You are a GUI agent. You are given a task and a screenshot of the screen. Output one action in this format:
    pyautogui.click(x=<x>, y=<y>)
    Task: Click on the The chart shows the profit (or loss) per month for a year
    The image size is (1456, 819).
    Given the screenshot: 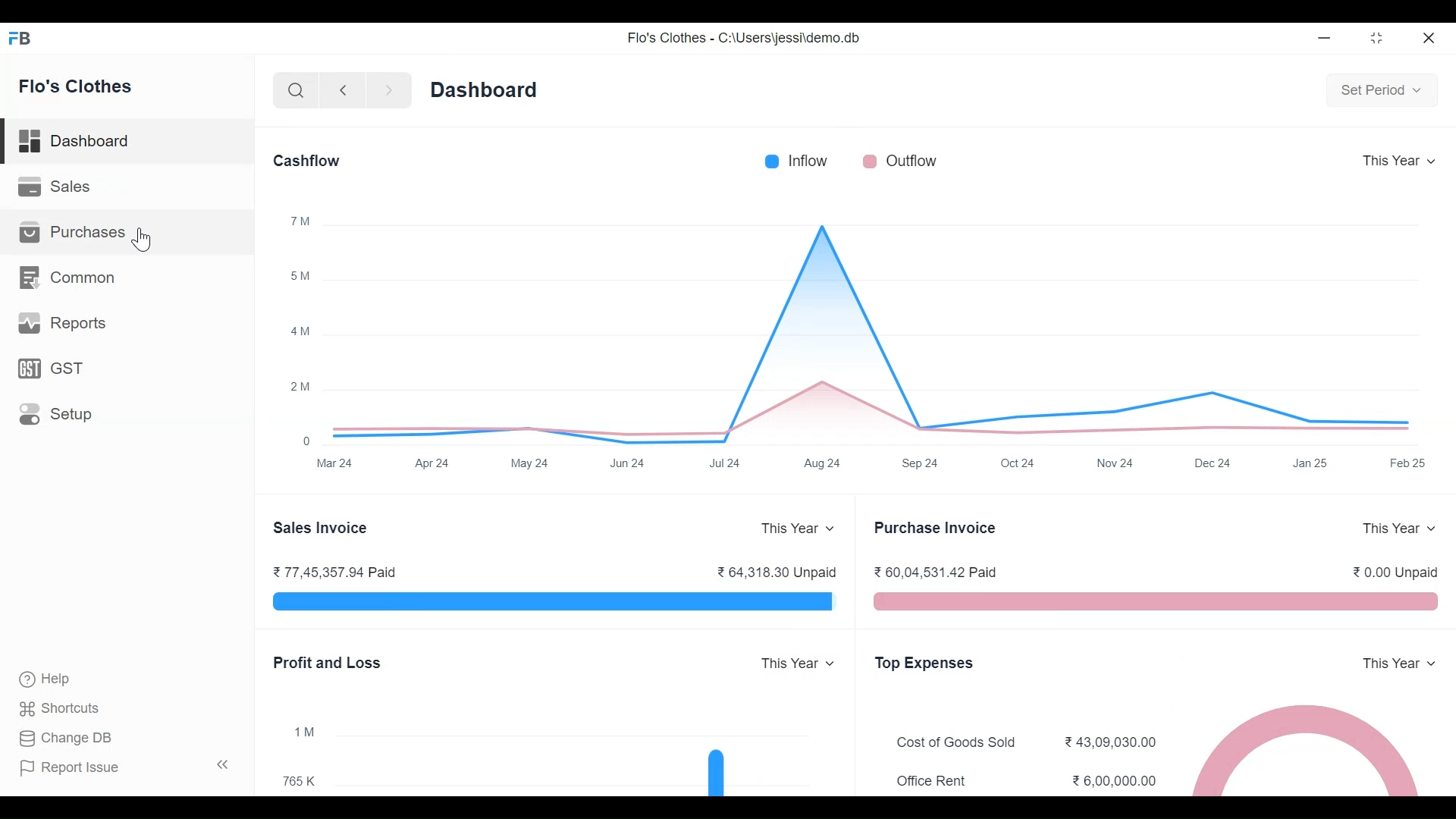 What is the action you would take?
    pyautogui.click(x=580, y=754)
    